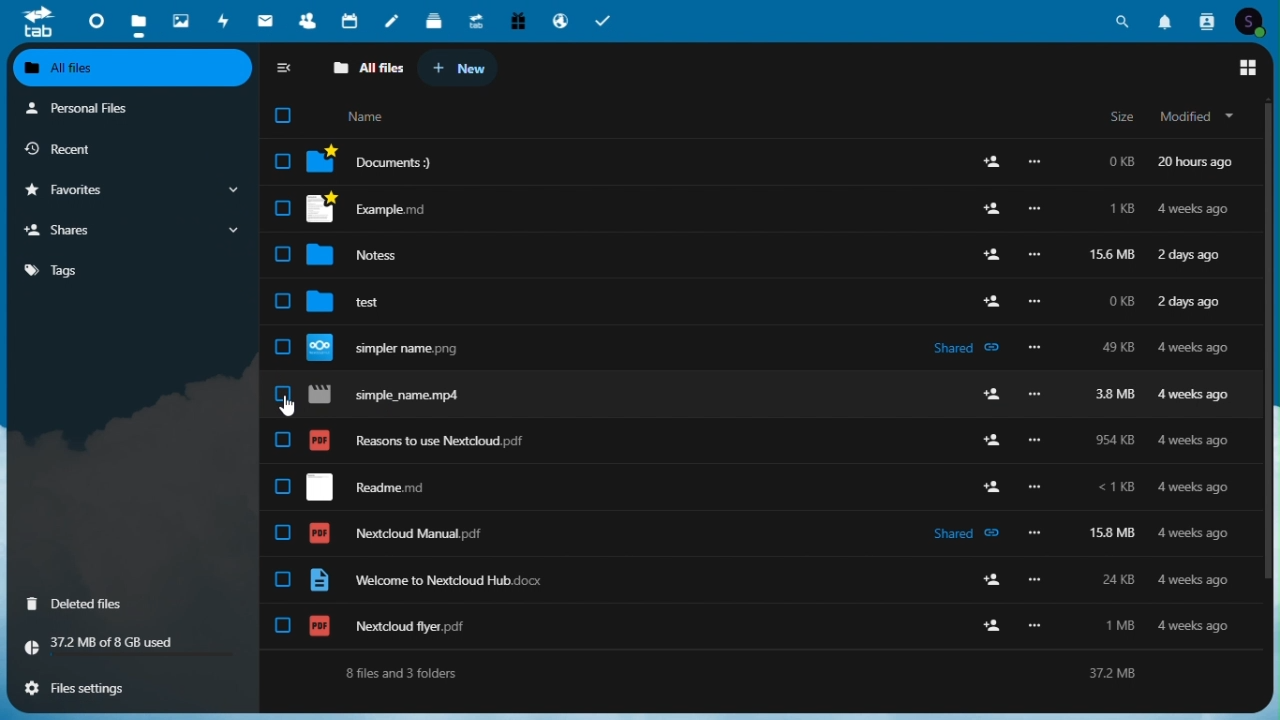 The width and height of the screenshot is (1280, 720). What do you see at coordinates (87, 688) in the screenshot?
I see `File settings` at bounding box center [87, 688].